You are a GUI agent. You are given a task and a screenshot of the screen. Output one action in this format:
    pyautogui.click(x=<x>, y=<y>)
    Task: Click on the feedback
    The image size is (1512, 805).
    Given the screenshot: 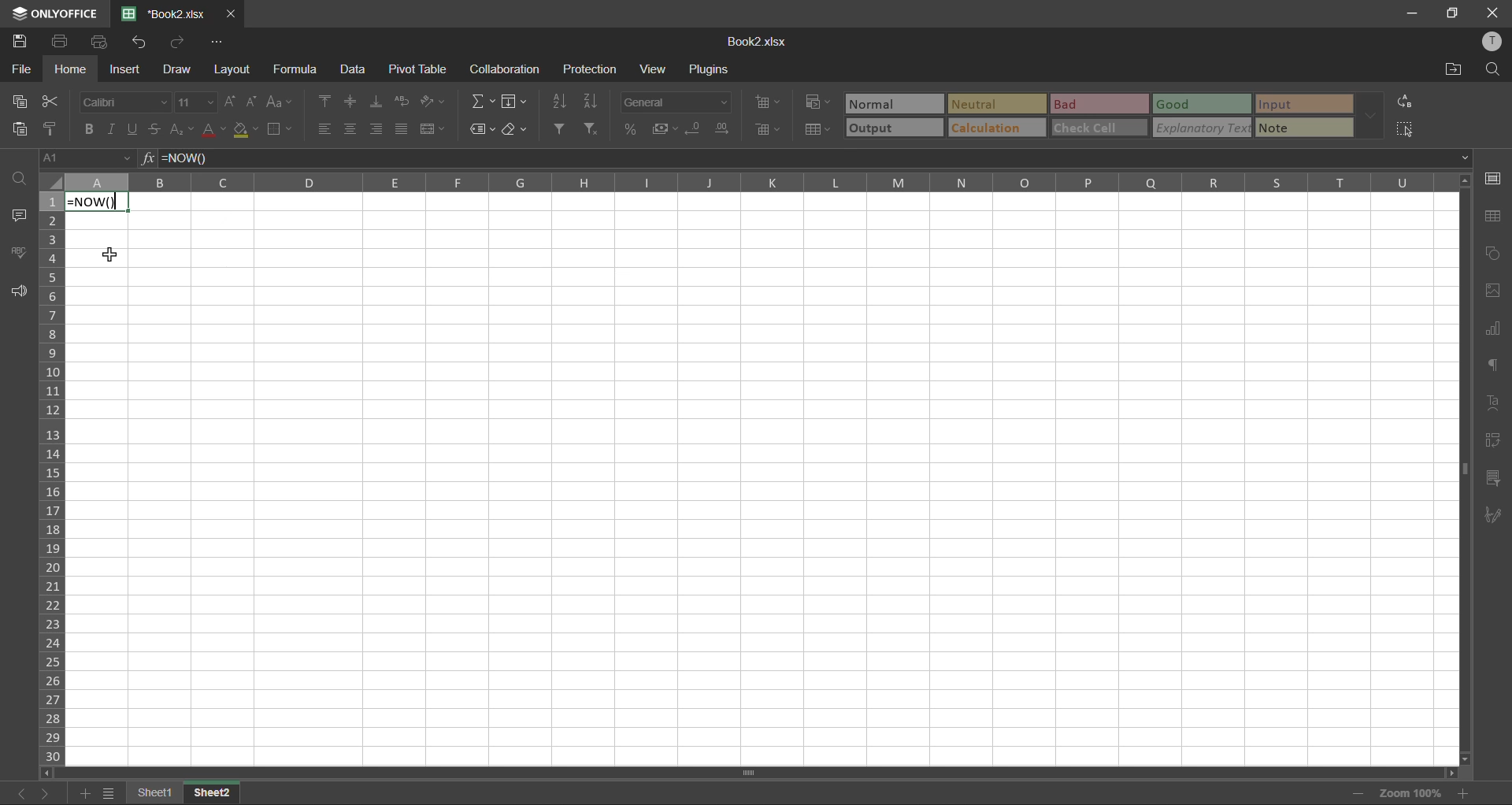 What is the action you would take?
    pyautogui.click(x=17, y=291)
    